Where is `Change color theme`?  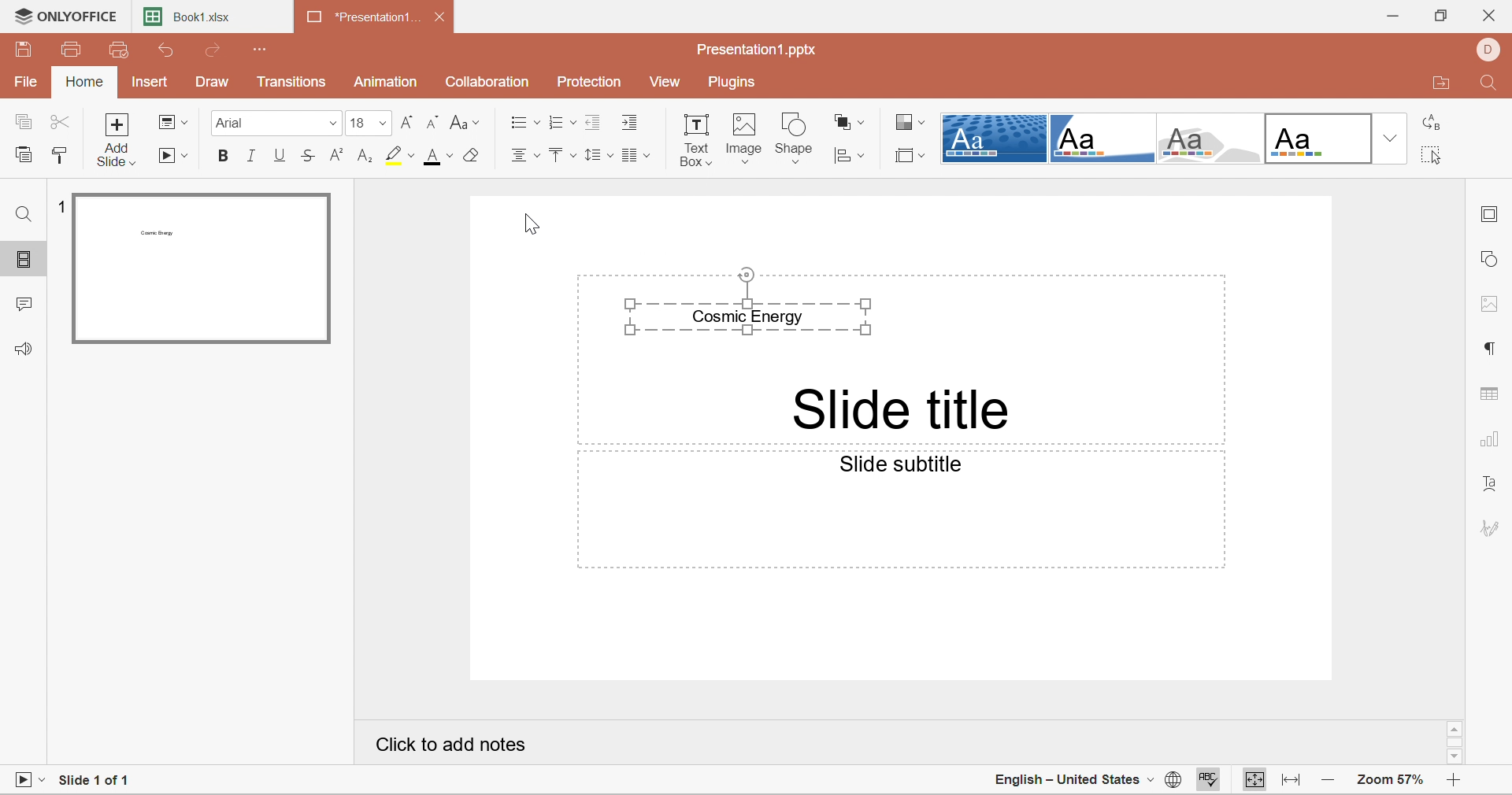
Change color theme is located at coordinates (910, 124).